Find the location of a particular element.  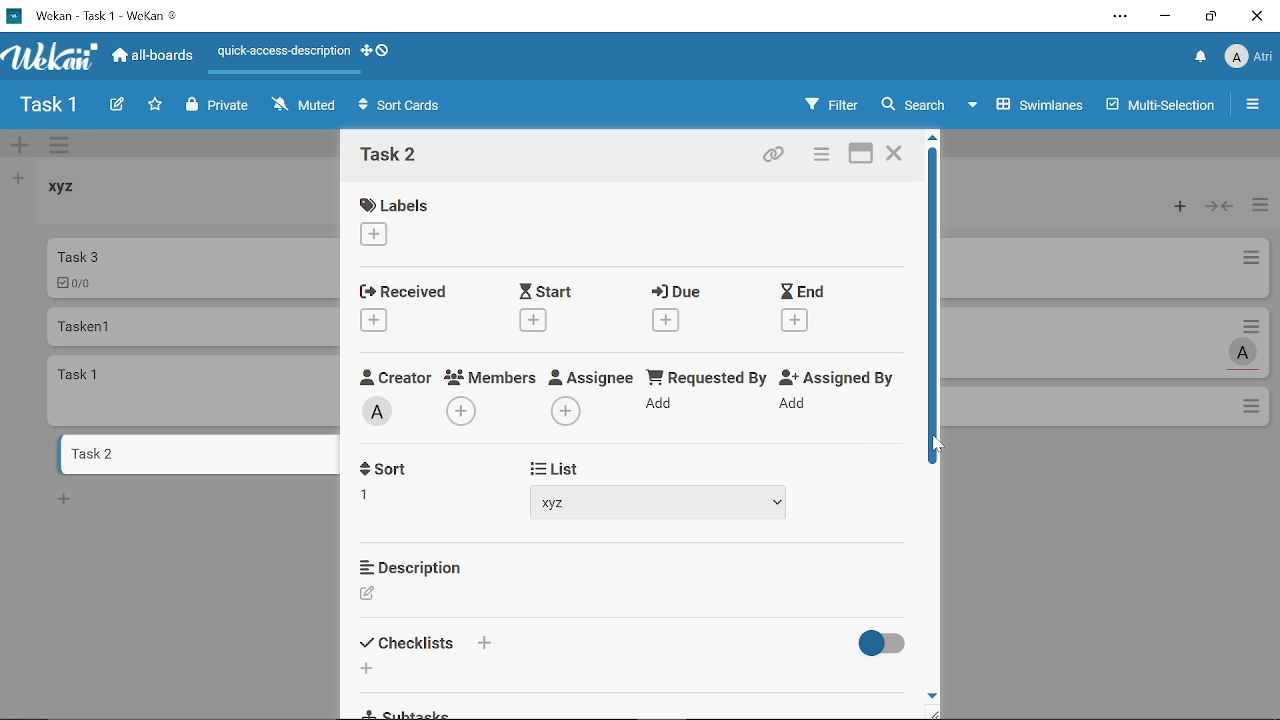

Add list is located at coordinates (16, 178).